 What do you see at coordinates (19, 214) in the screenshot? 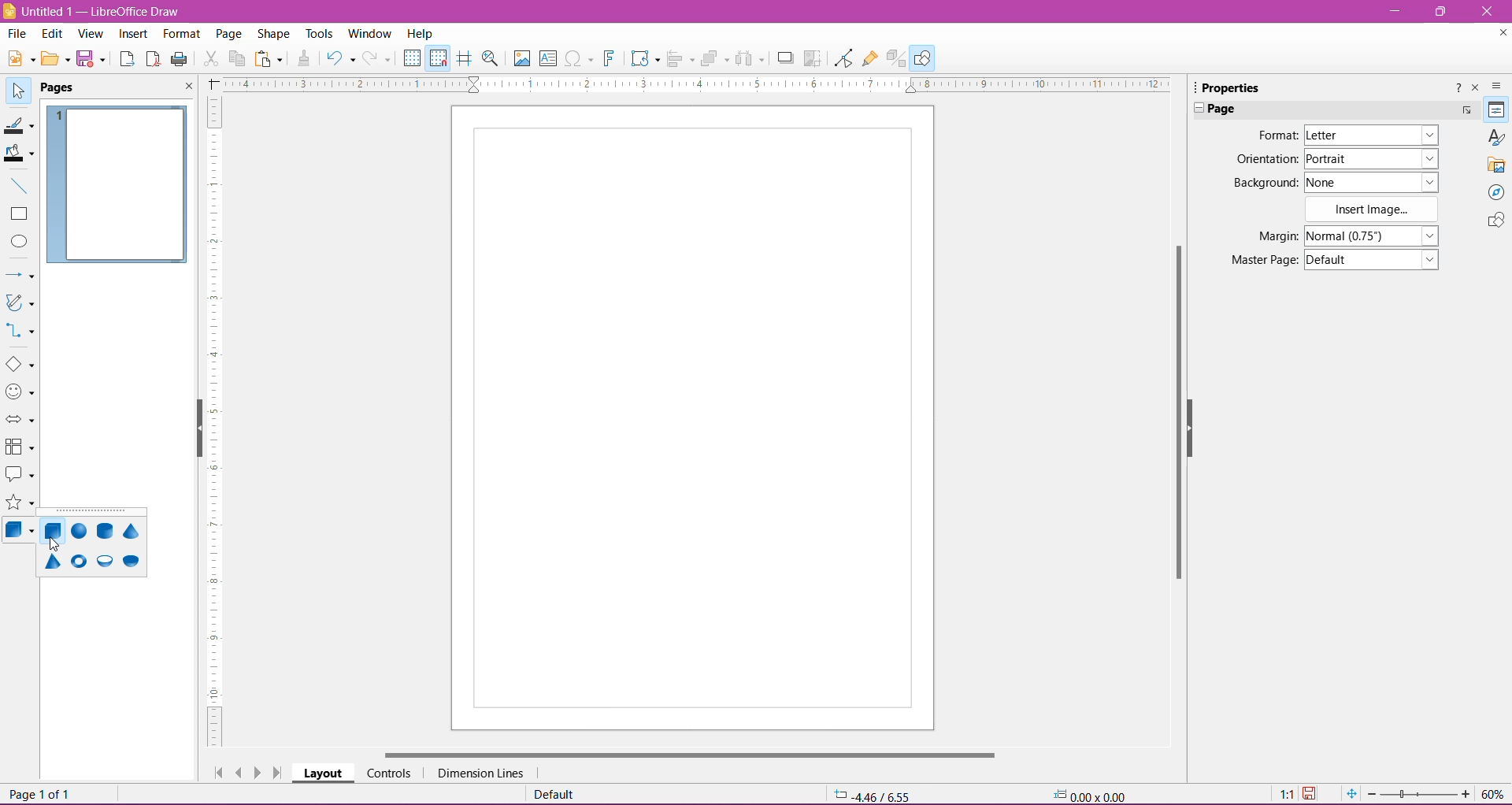
I see `Rectangle` at bounding box center [19, 214].